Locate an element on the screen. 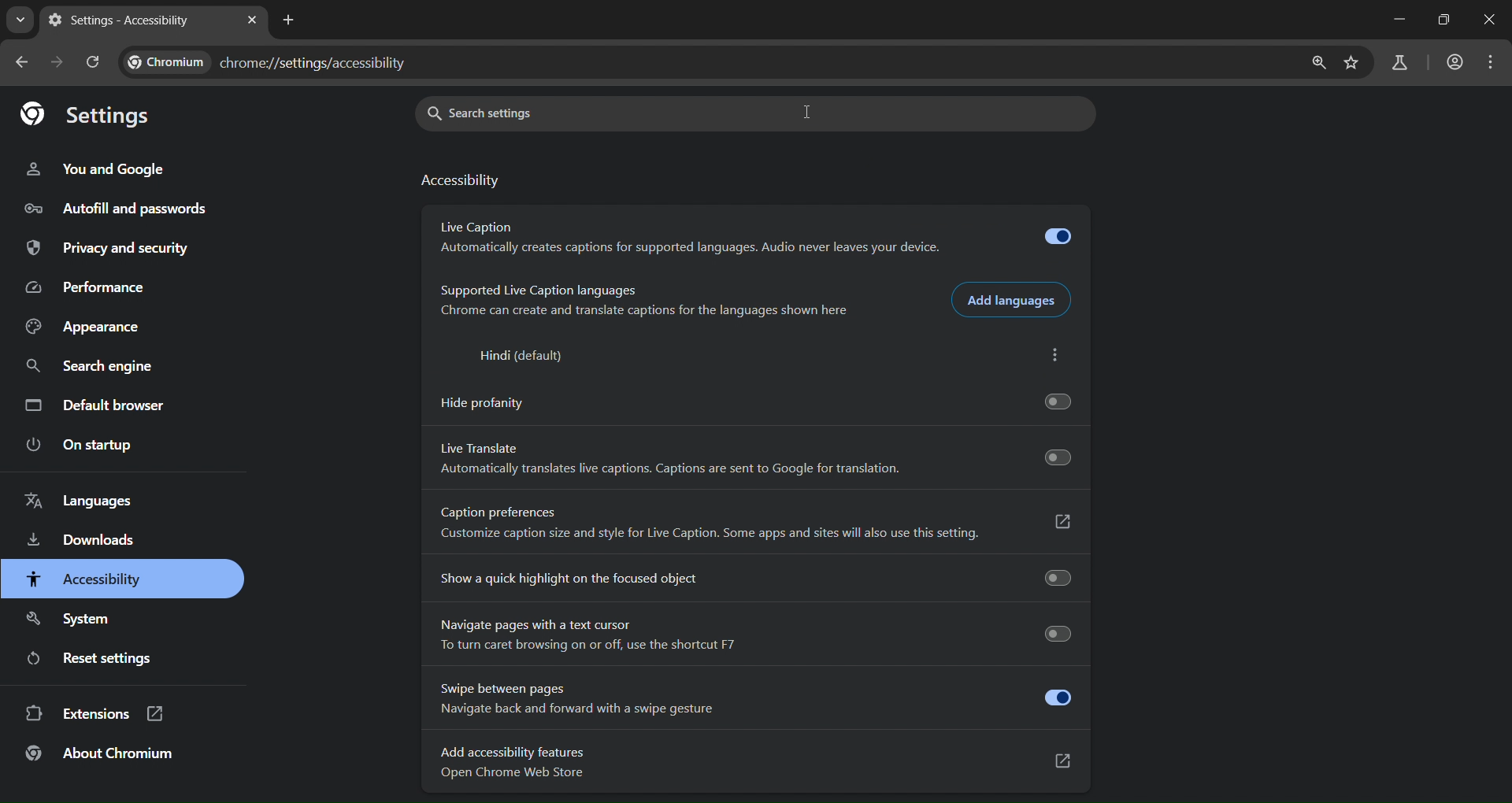 This screenshot has width=1512, height=803. privacy and security is located at coordinates (109, 248).